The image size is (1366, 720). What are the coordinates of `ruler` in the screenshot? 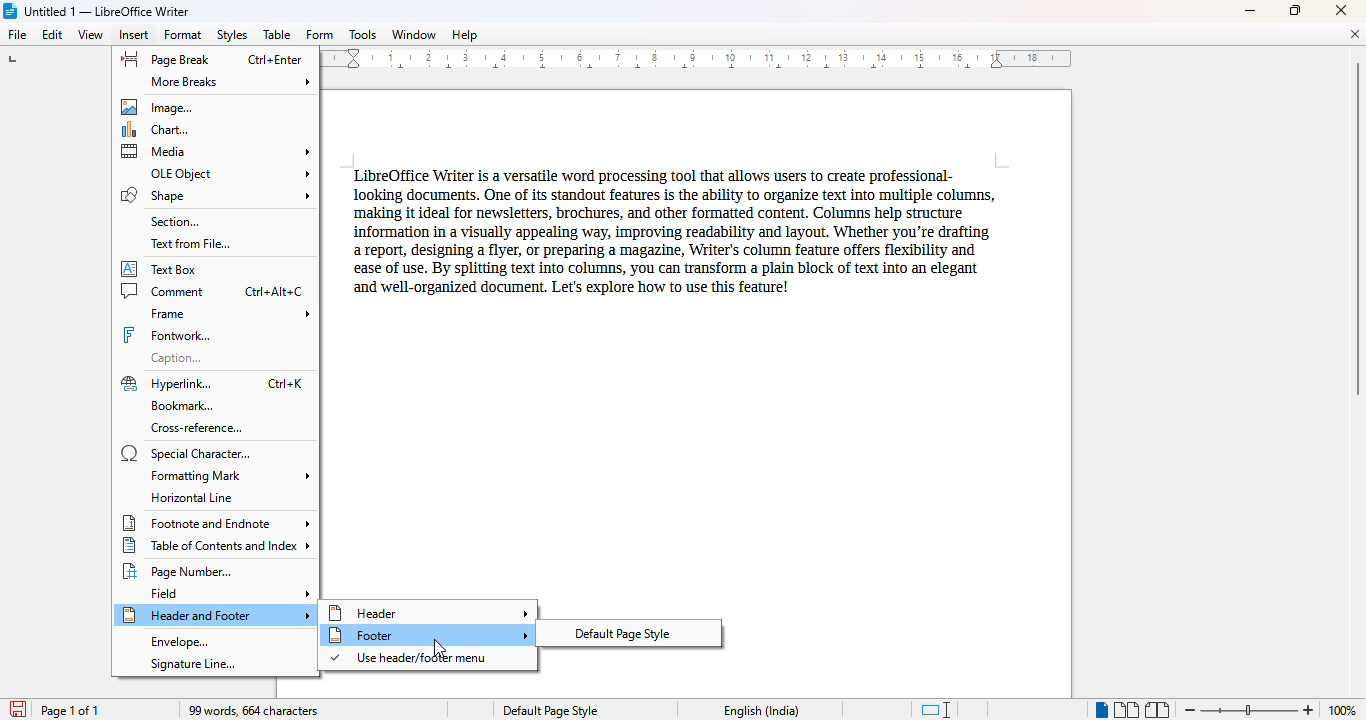 It's located at (700, 60).